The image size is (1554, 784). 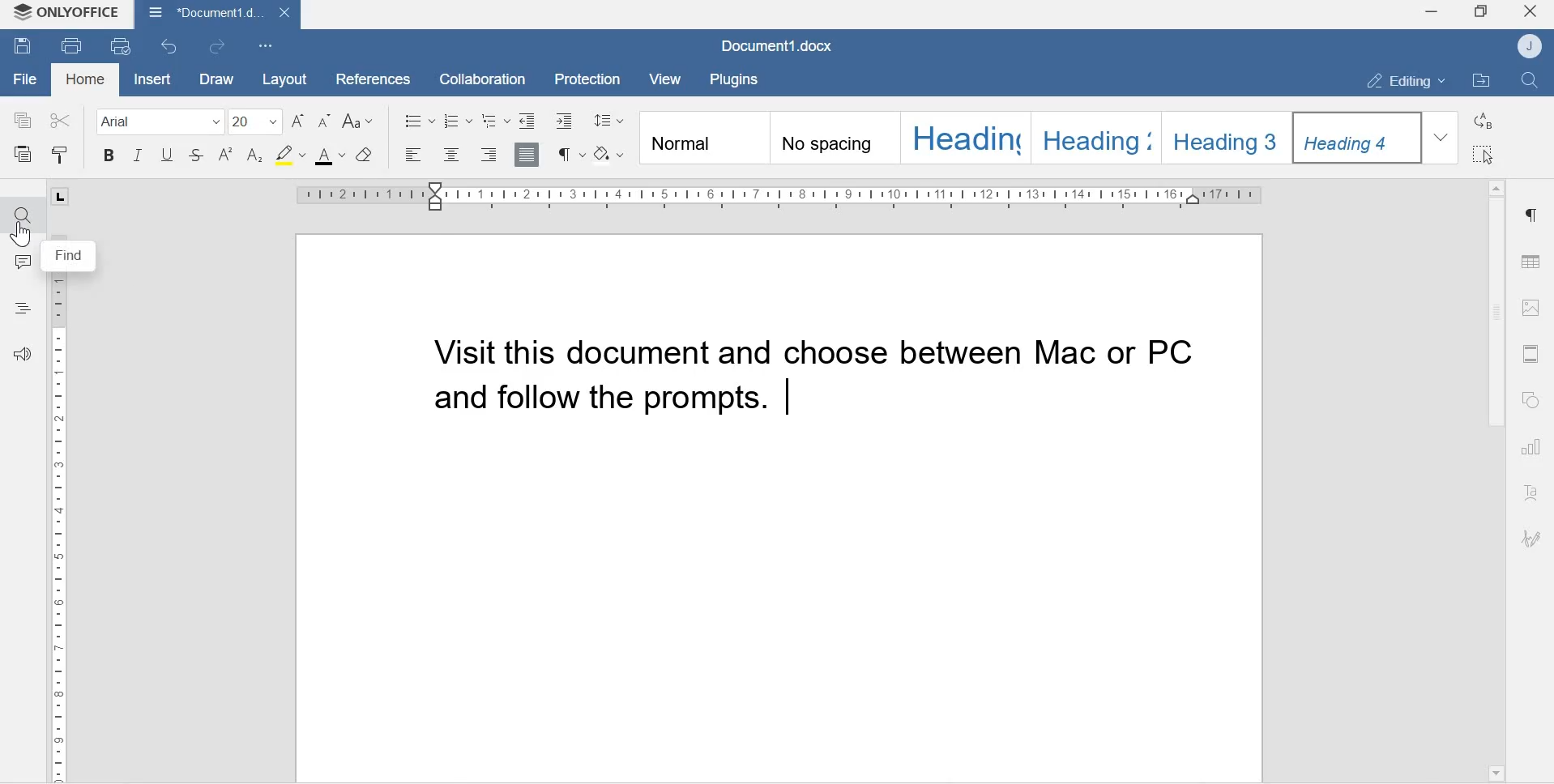 What do you see at coordinates (289, 154) in the screenshot?
I see `Highlight color` at bounding box center [289, 154].